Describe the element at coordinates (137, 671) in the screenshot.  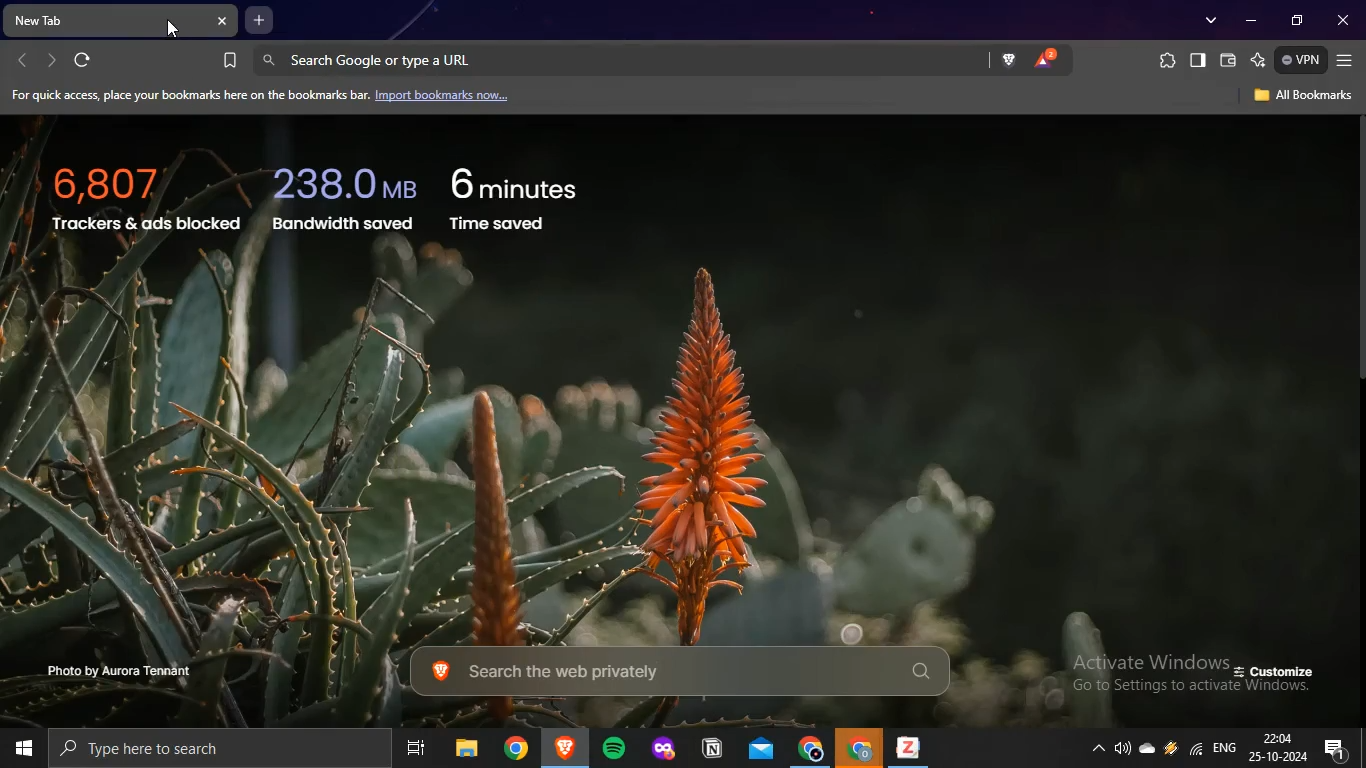
I see `photo by aurora` at that location.